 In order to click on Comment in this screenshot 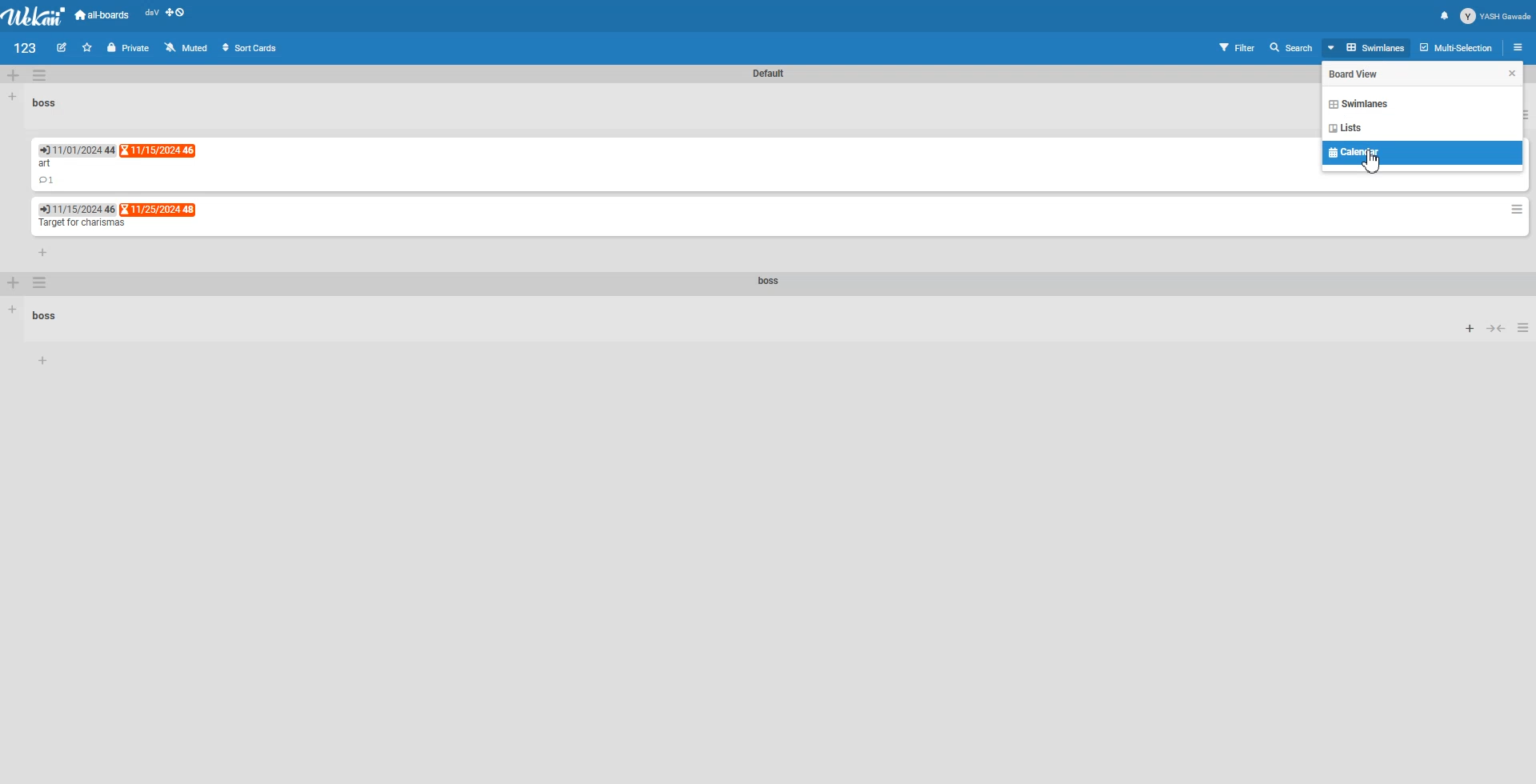, I will do `click(46, 181)`.